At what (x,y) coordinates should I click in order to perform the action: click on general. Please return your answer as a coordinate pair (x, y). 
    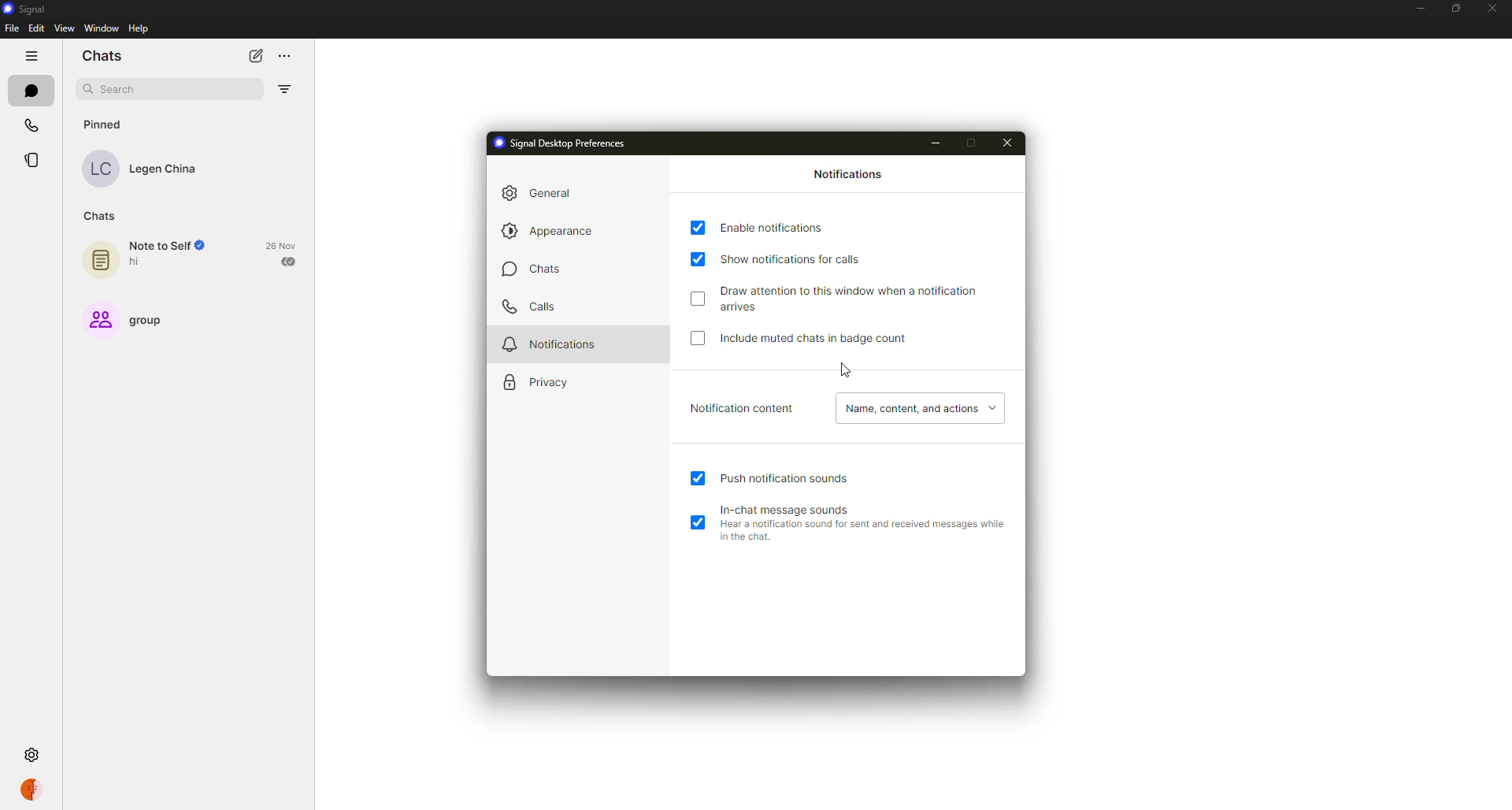
    Looking at the image, I should click on (543, 192).